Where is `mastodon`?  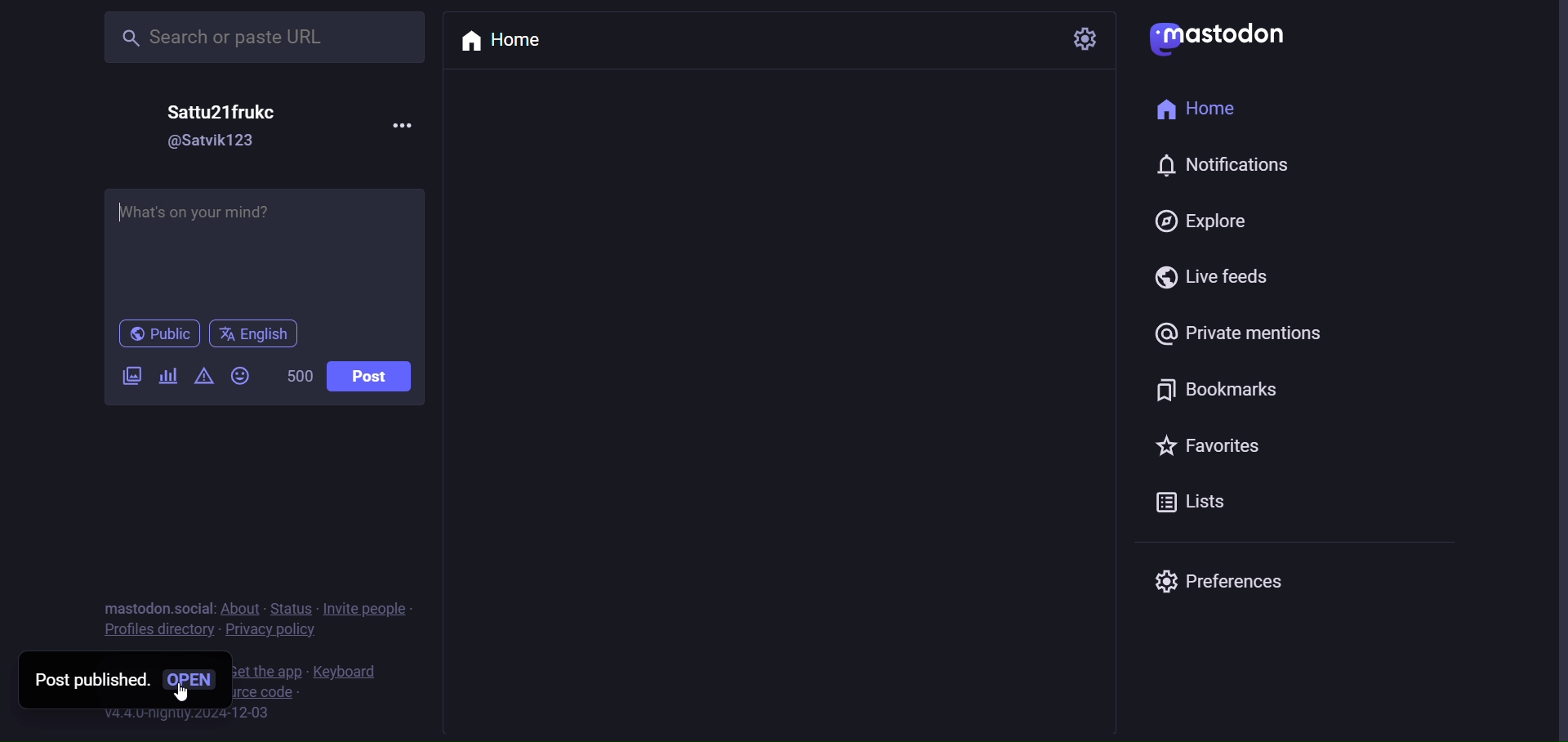 mastodon is located at coordinates (1228, 38).